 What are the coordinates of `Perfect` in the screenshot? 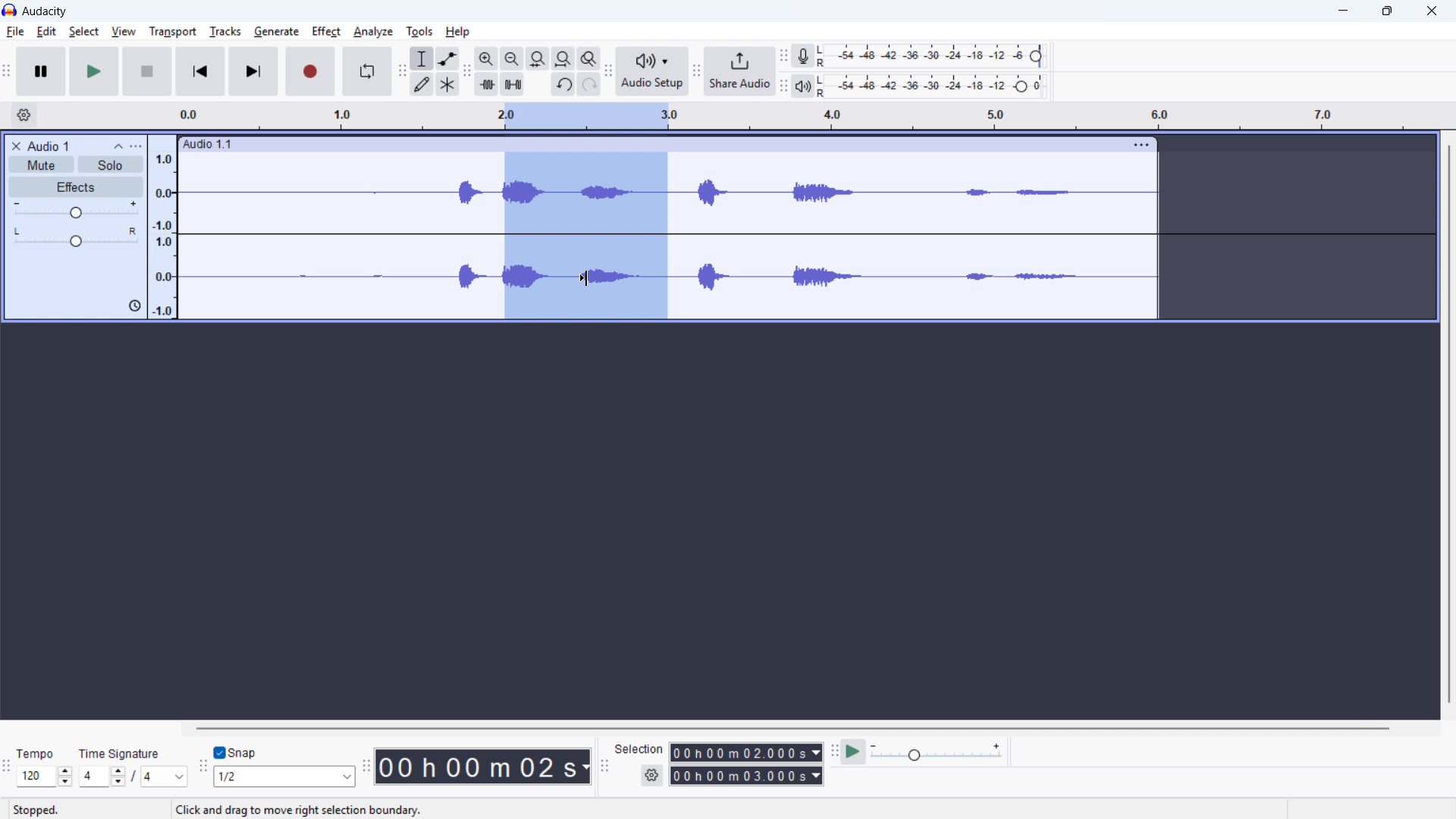 It's located at (325, 30).